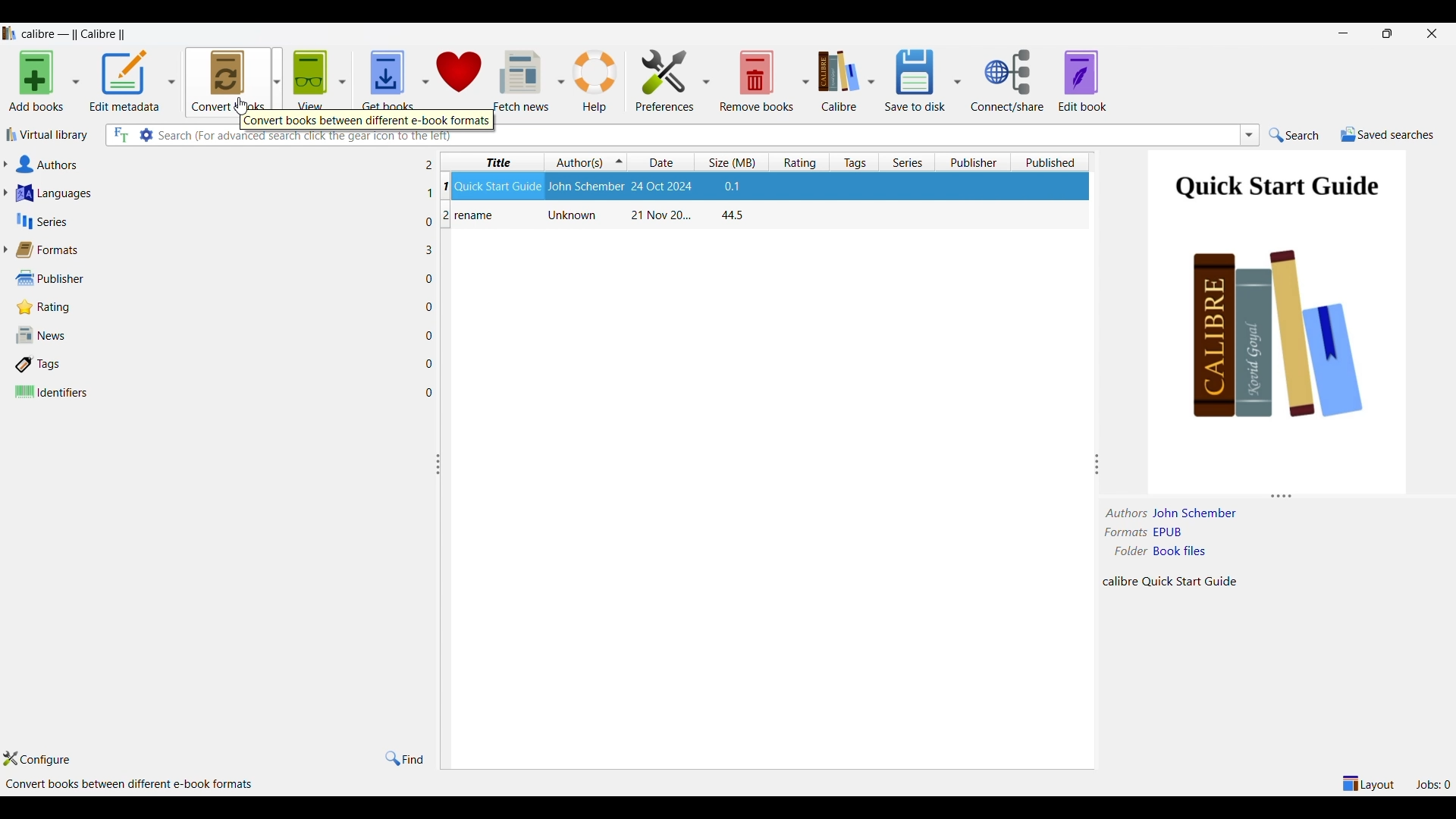  I want to click on Configure, so click(36, 759).